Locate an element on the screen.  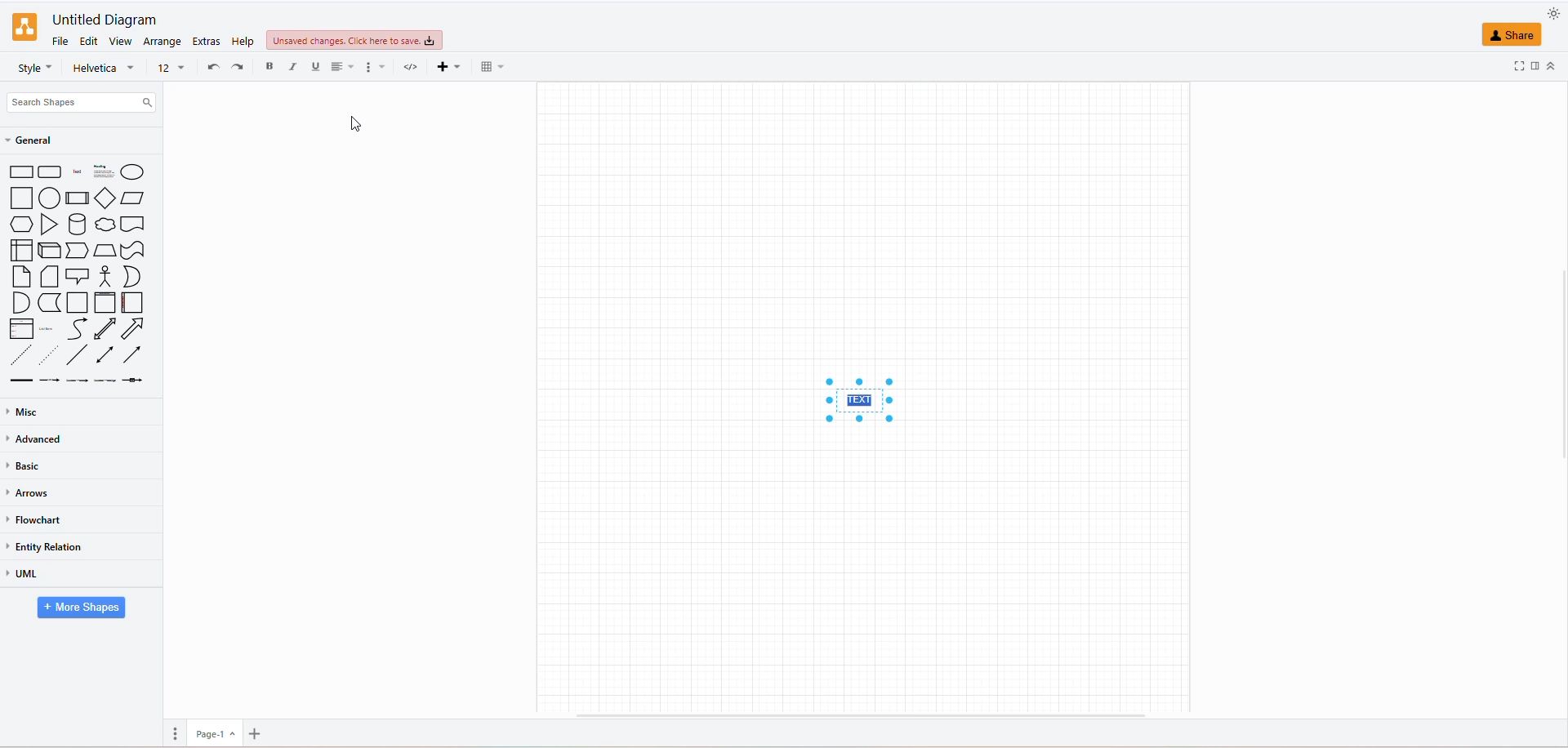
logo is located at coordinates (23, 27).